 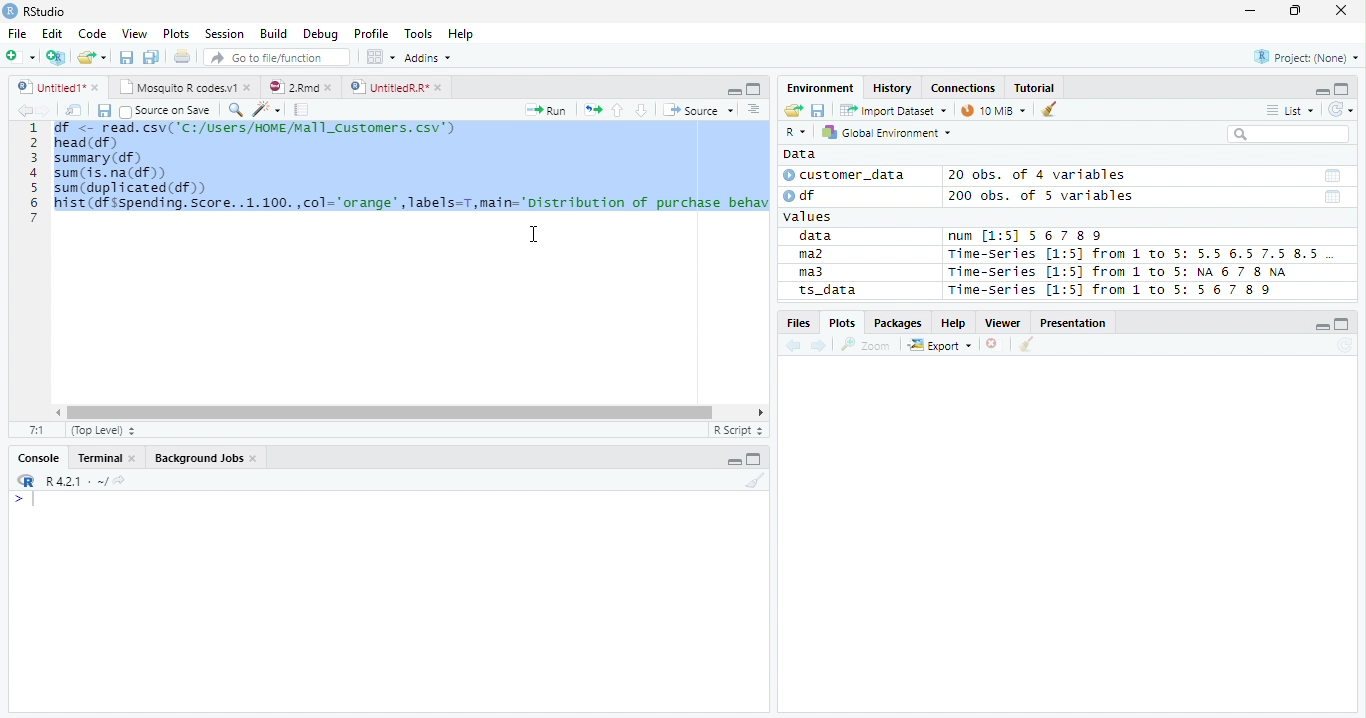 I want to click on ma3, so click(x=816, y=272).